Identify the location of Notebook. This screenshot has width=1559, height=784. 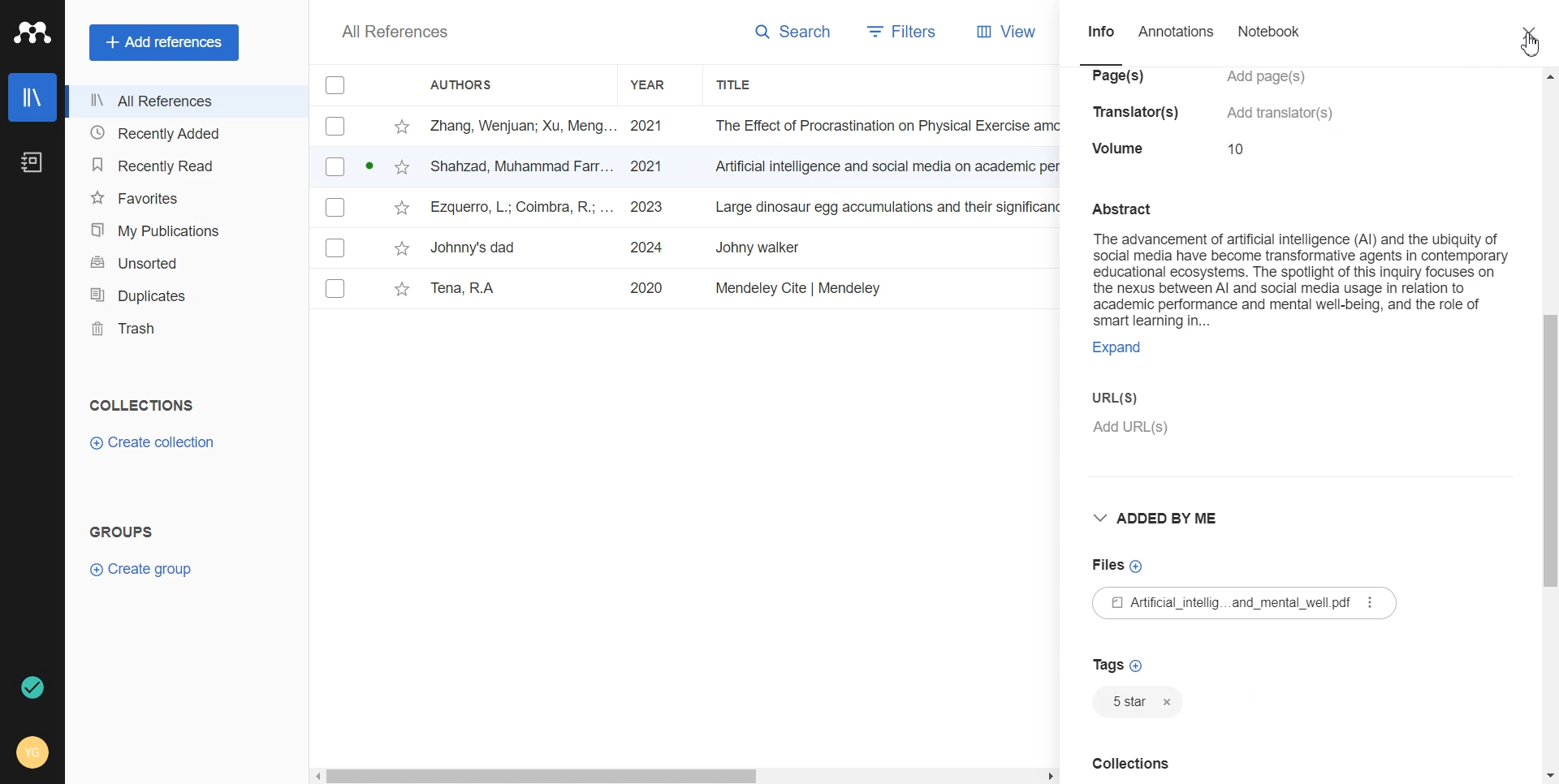
(1267, 41).